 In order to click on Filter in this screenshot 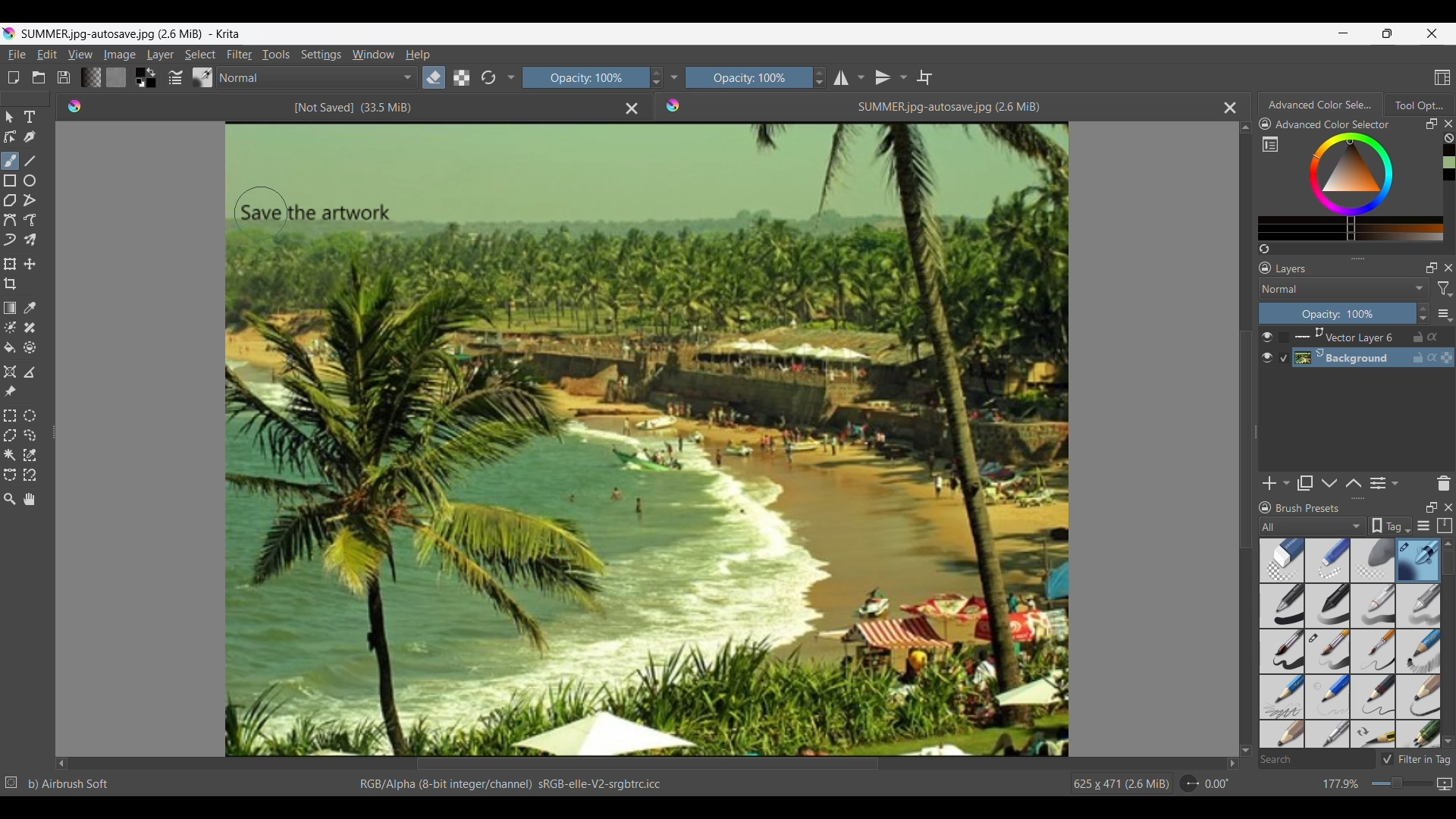, I will do `click(240, 55)`.